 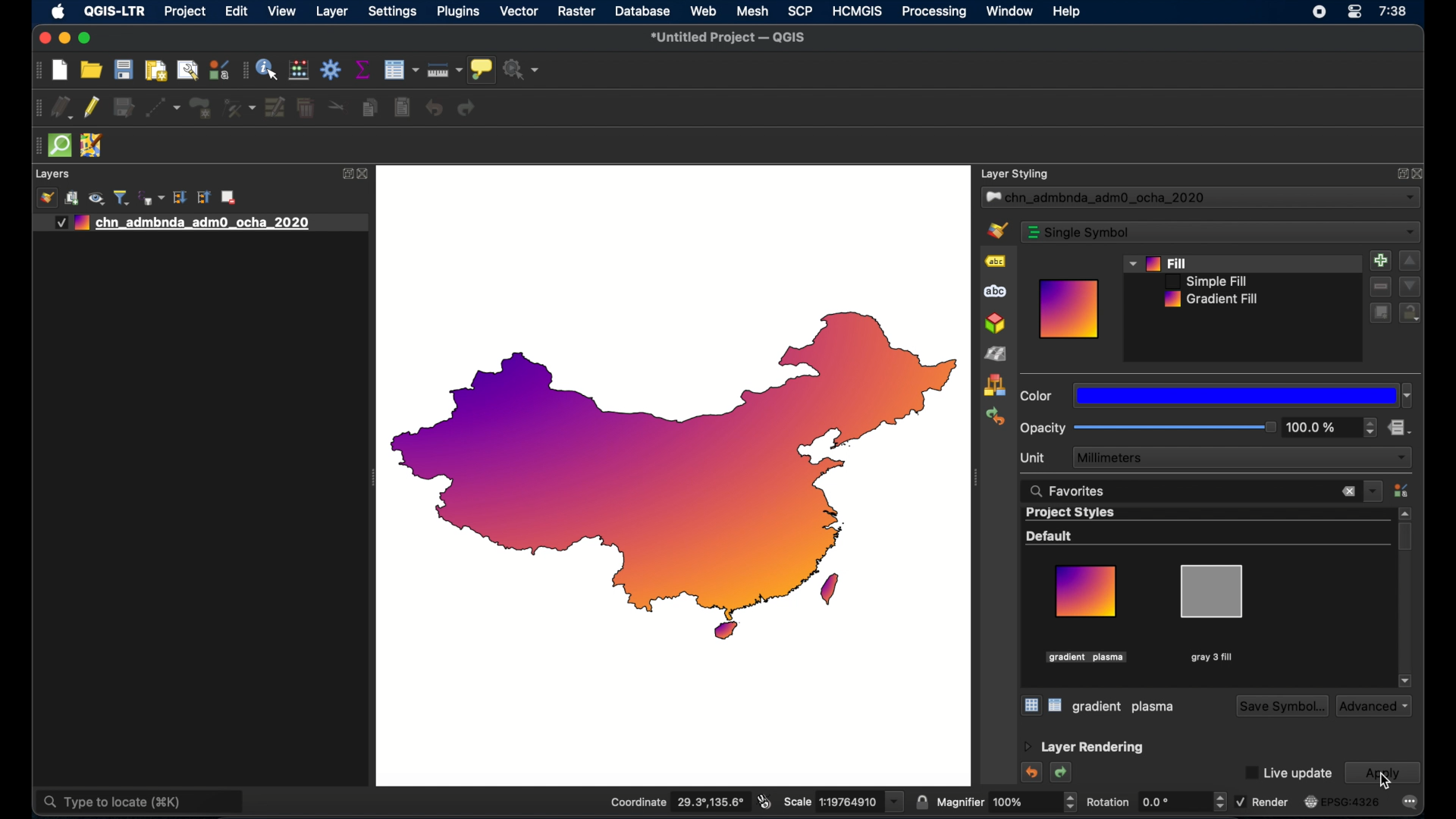 I want to click on processing, so click(x=934, y=12).